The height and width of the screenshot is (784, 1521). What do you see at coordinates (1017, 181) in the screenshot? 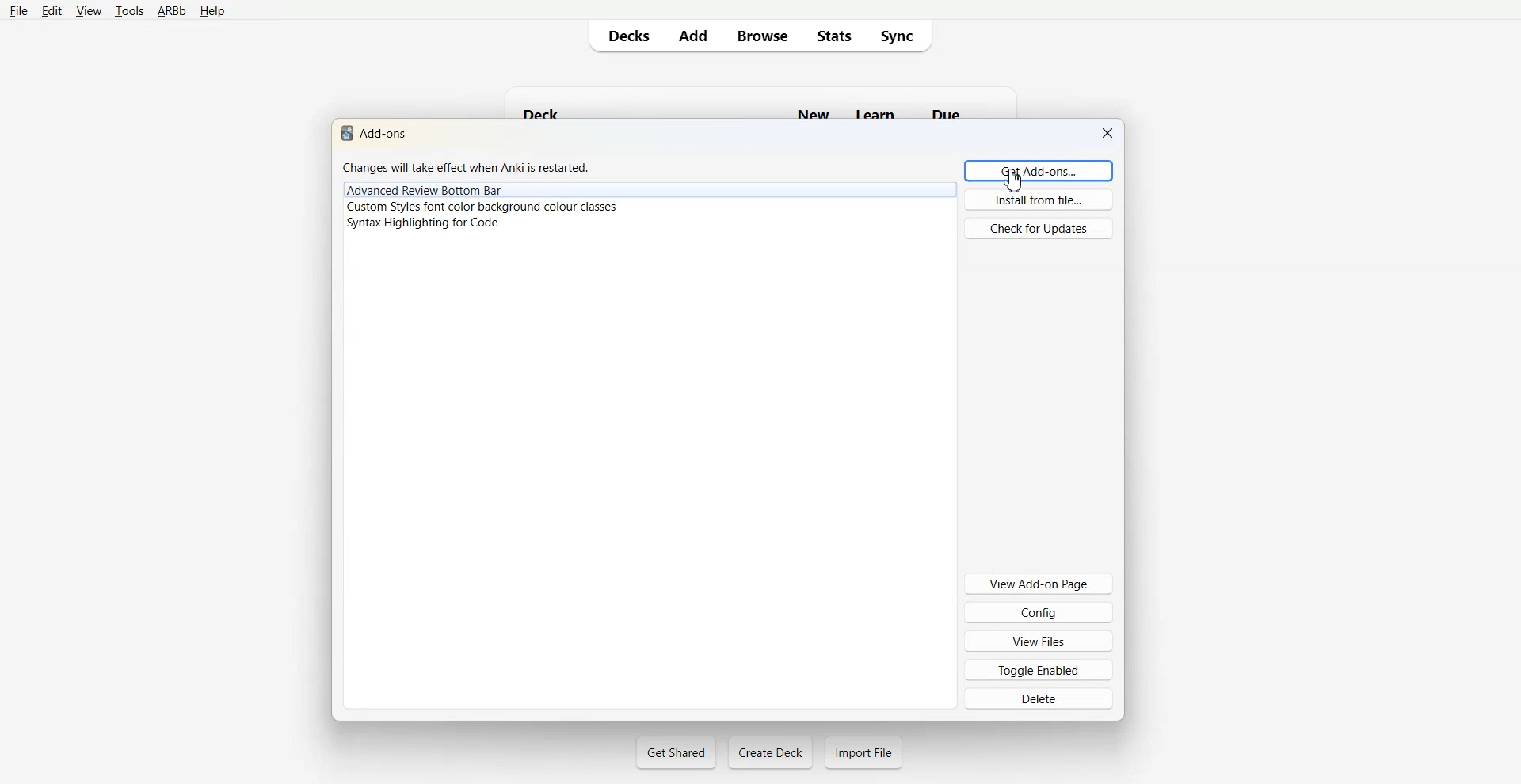
I see `Cursor` at bounding box center [1017, 181].